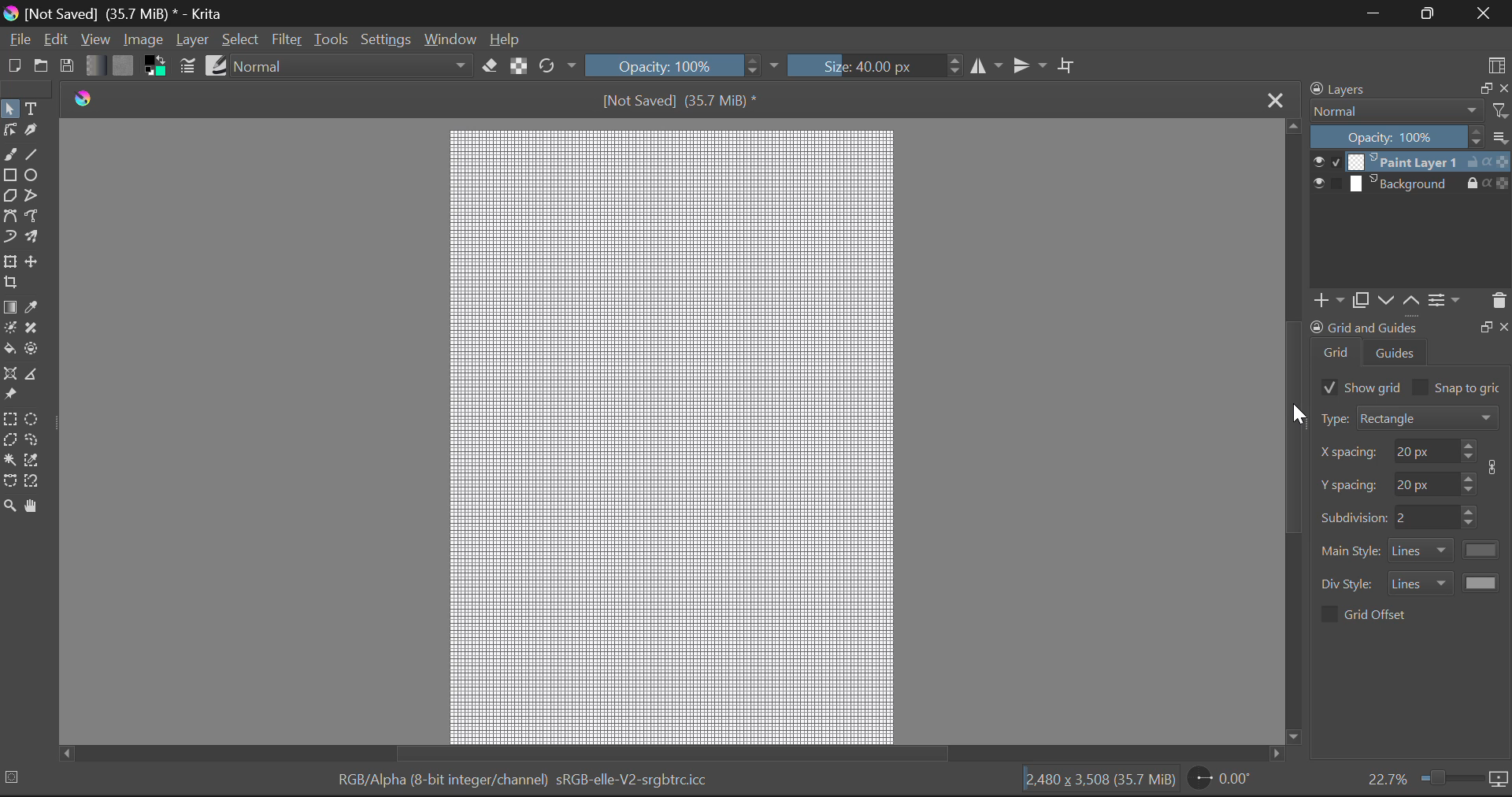  I want to click on Pattern, so click(124, 65).